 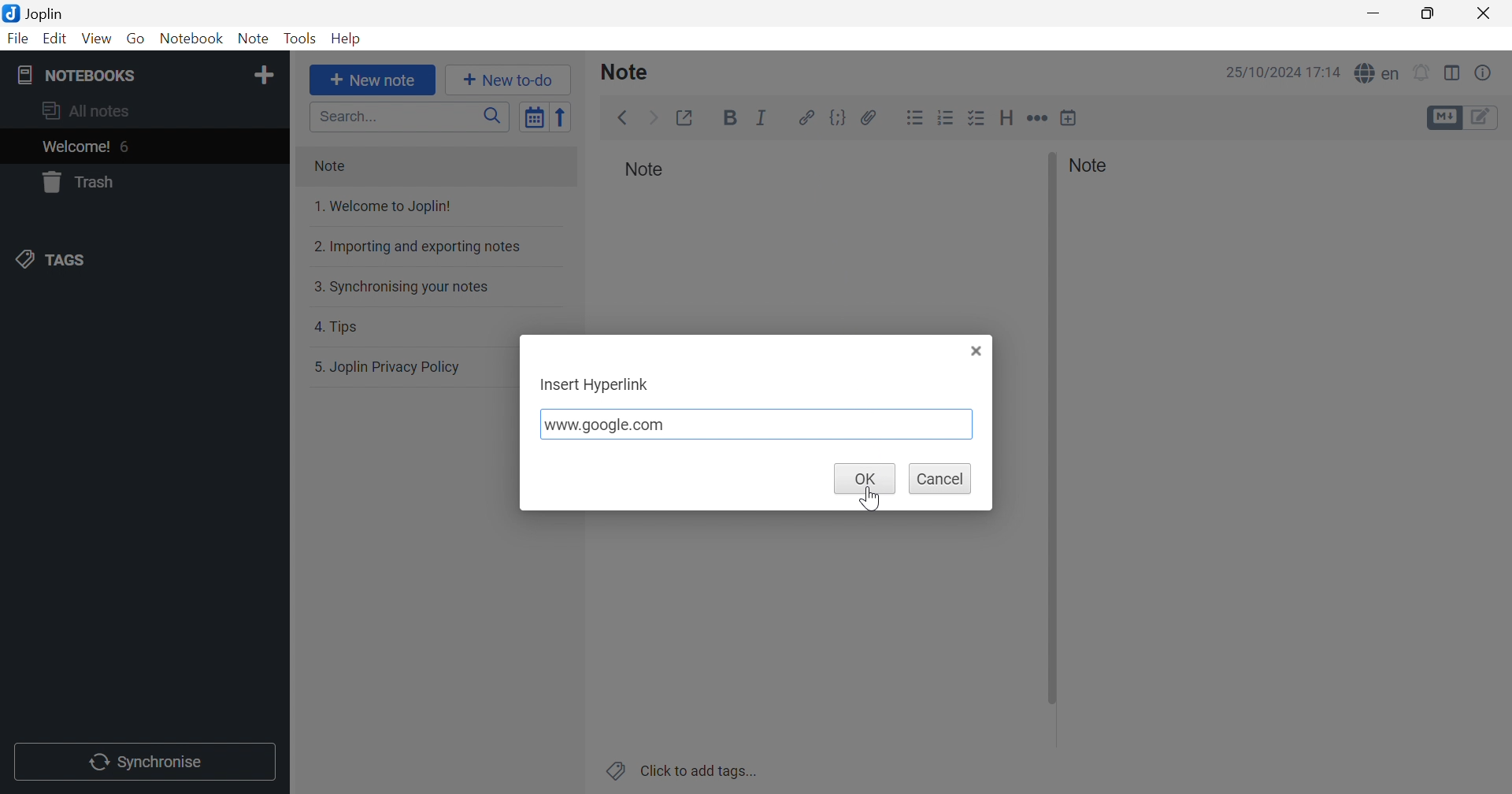 What do you see at coordinates (9, 13) in the screenshot?
I see `joplin logo` at bounding box center [9, 13].